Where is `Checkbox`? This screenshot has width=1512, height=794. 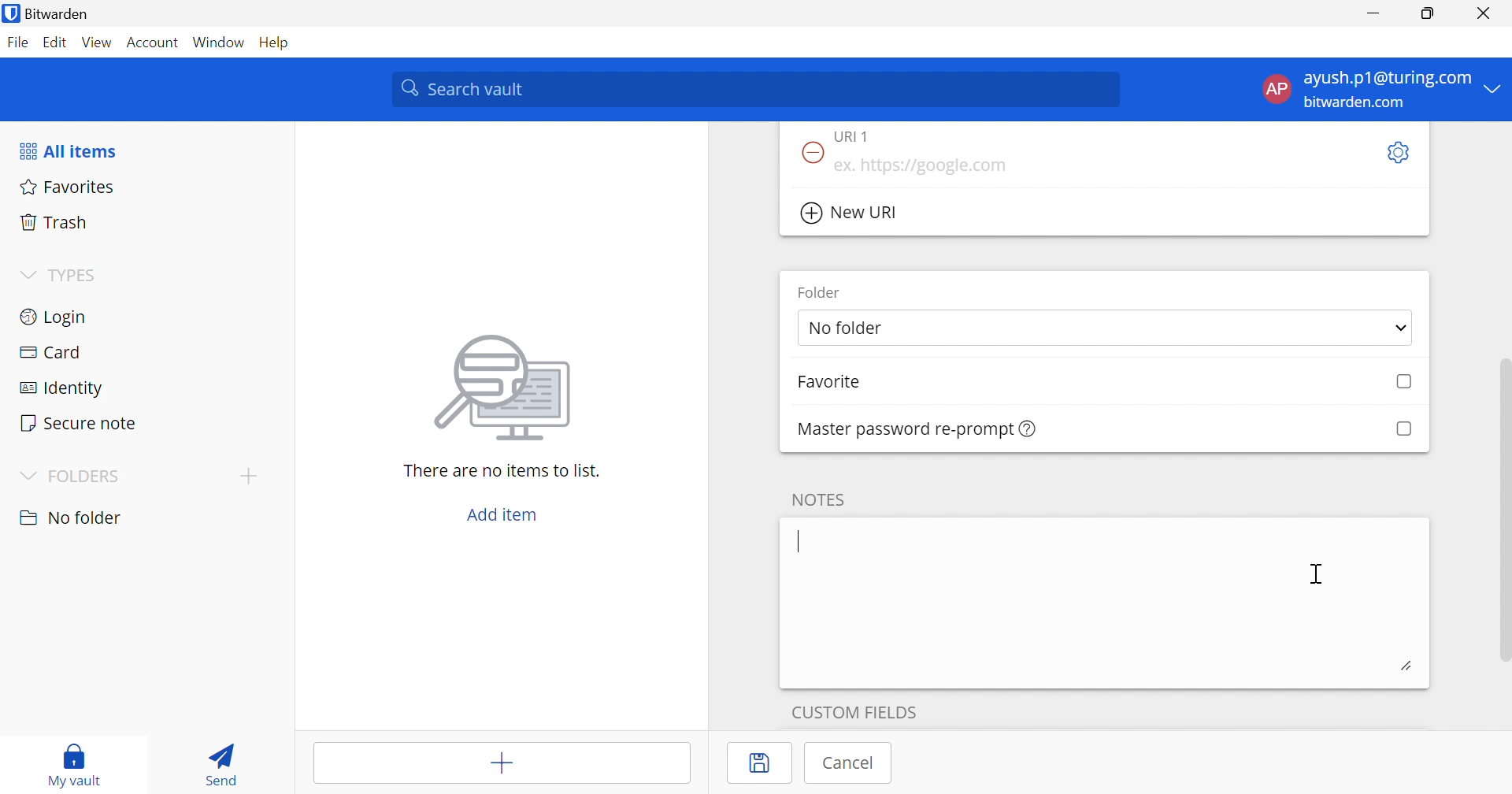 Checkbox is located at coordinates (1405, 382).